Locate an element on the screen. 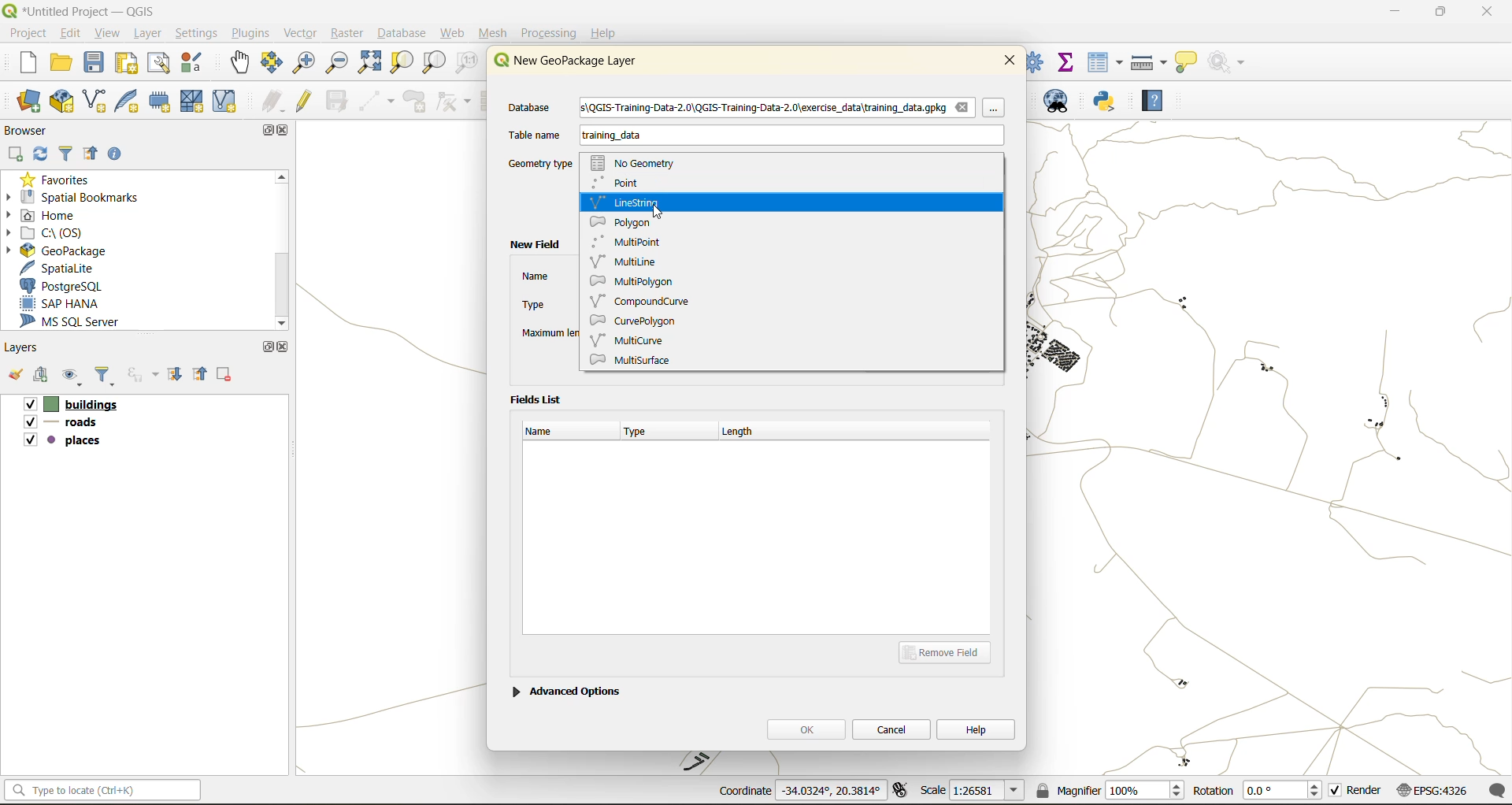 This screenshot has height=805, width=1512. coordinates is located at coordinates (799, 792).